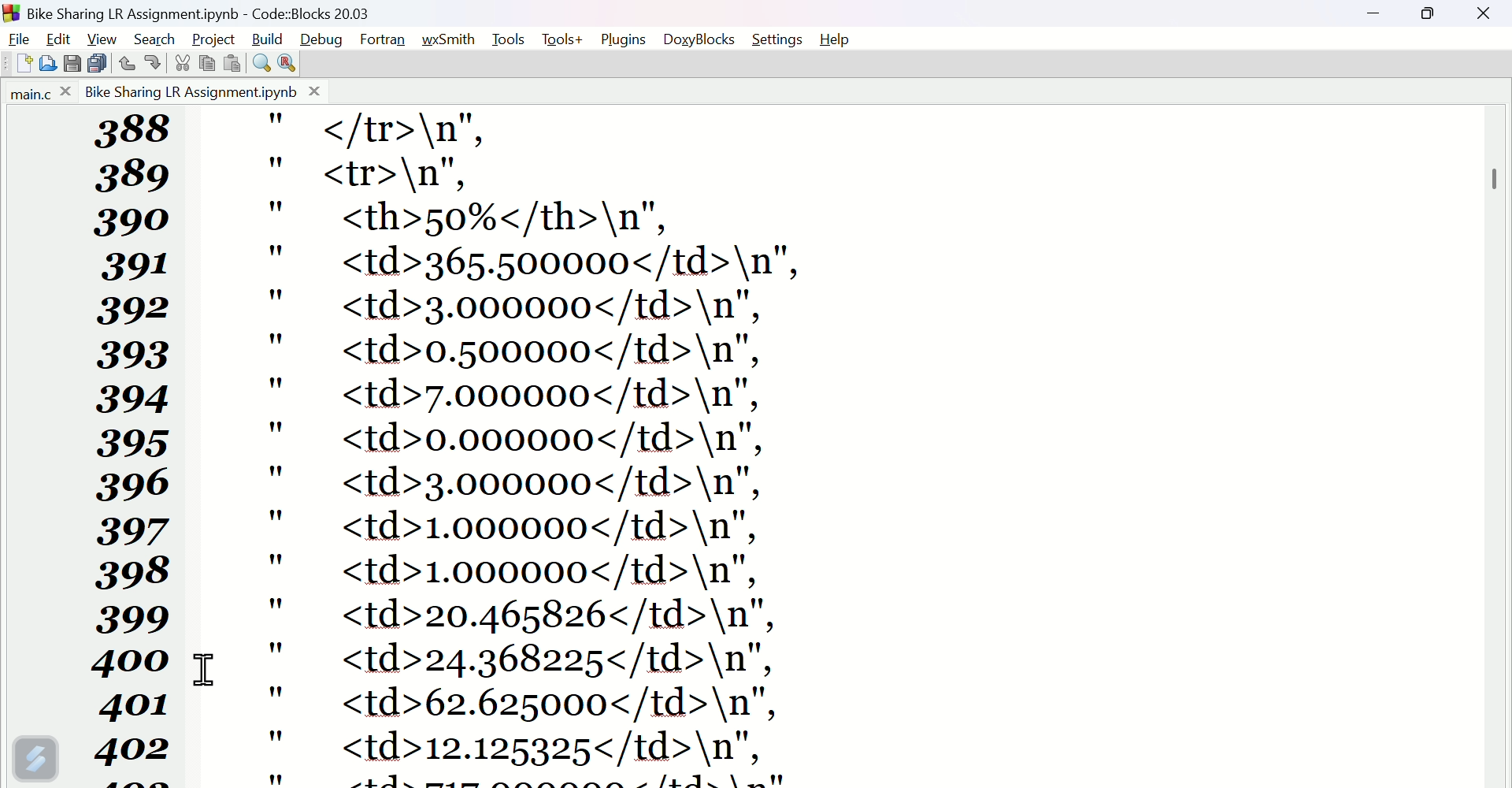  Describe the element at coordinates (37, 94) in the screenshot. I see `Main.C` at that location.